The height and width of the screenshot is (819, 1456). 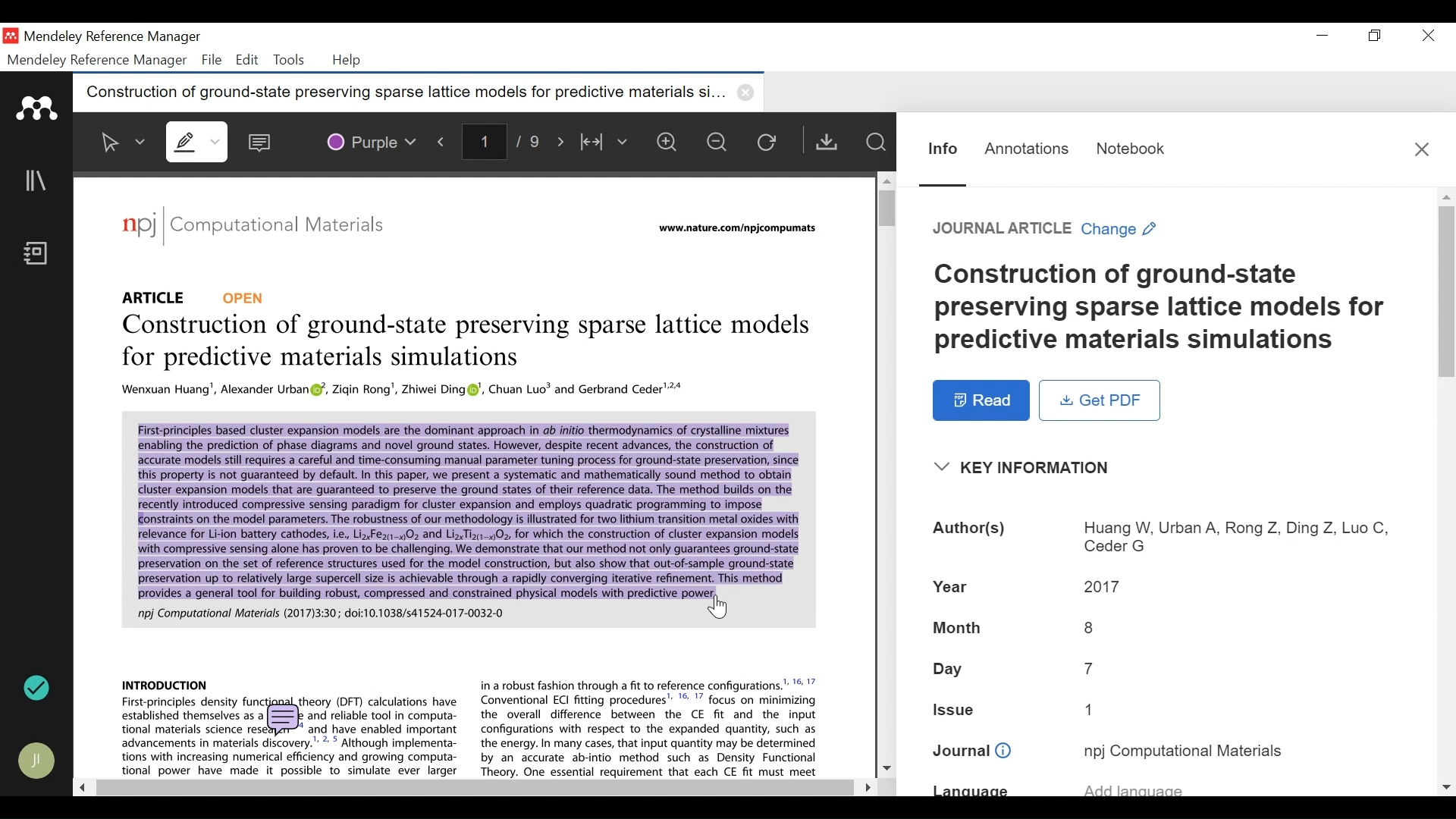 I want to click on Language, so click(x=1134, y=786).